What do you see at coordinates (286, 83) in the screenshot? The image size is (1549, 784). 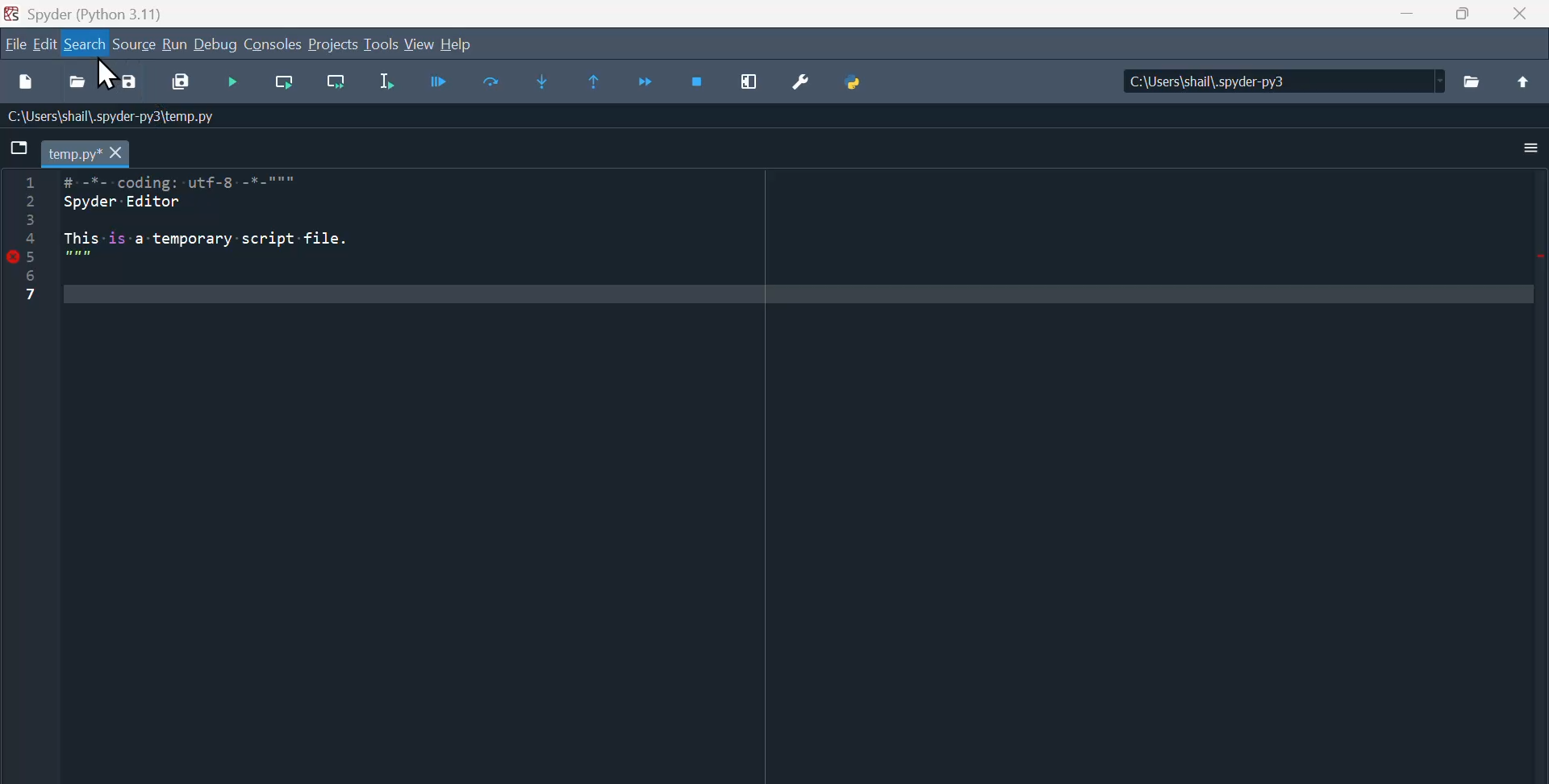 I see `Run current cell` at bounding box center [286, 83].